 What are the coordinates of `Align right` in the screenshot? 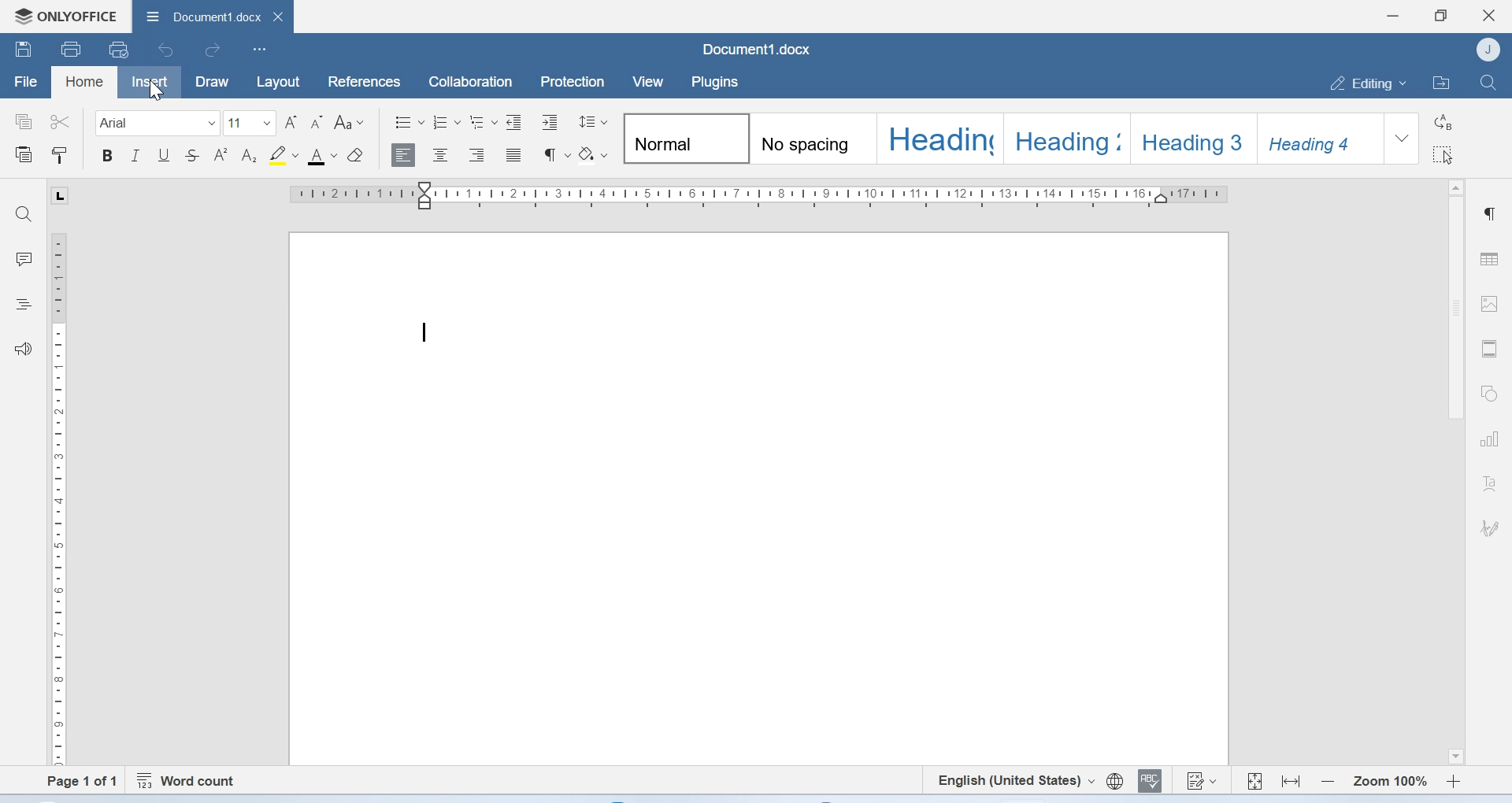 It's located at (477, 156).